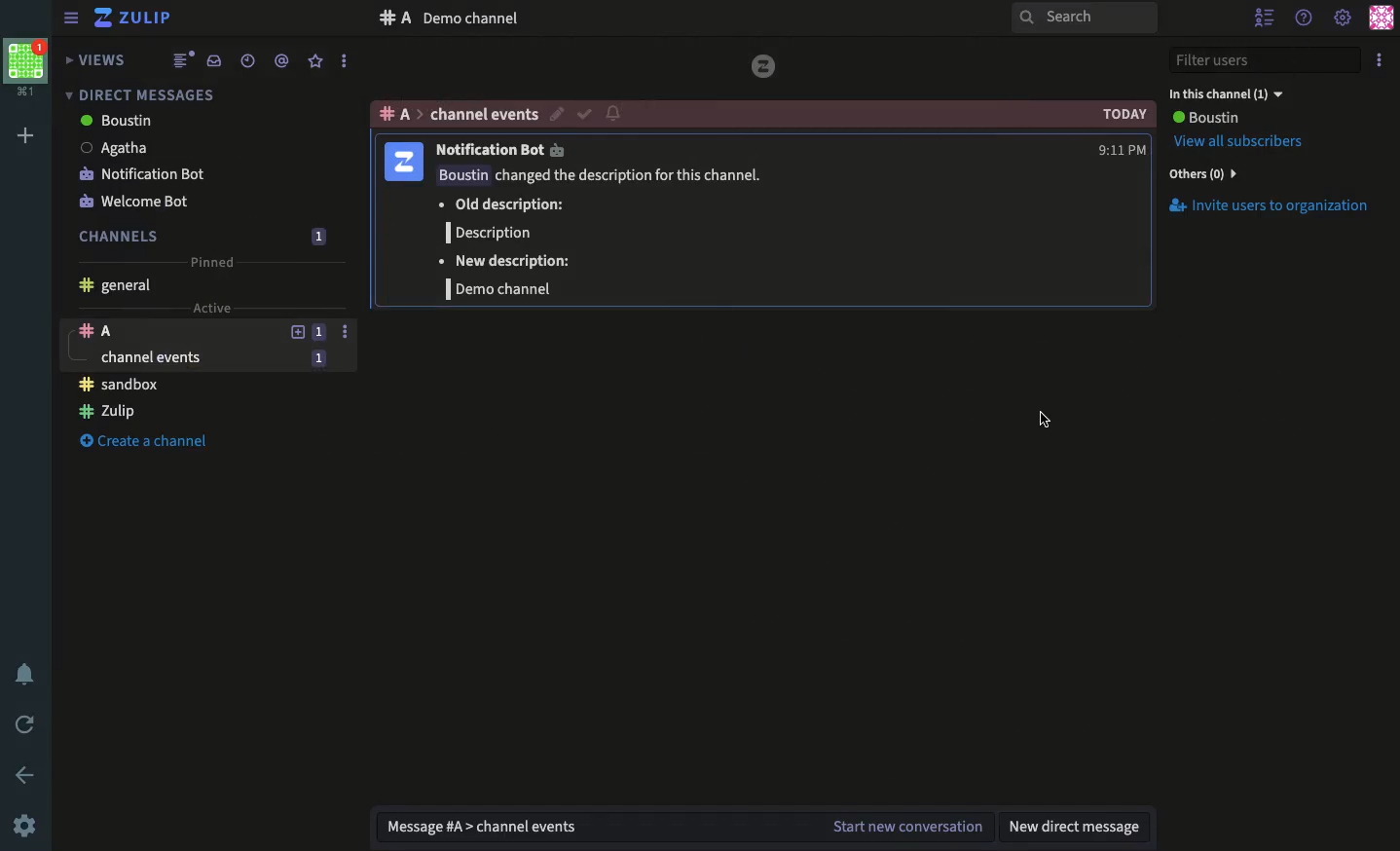 This screenshot has height=851, width=1400. What do you see at coordinates (471, 18) in the screenshot?
I see `demo channel` at bounding box center [471, 18].